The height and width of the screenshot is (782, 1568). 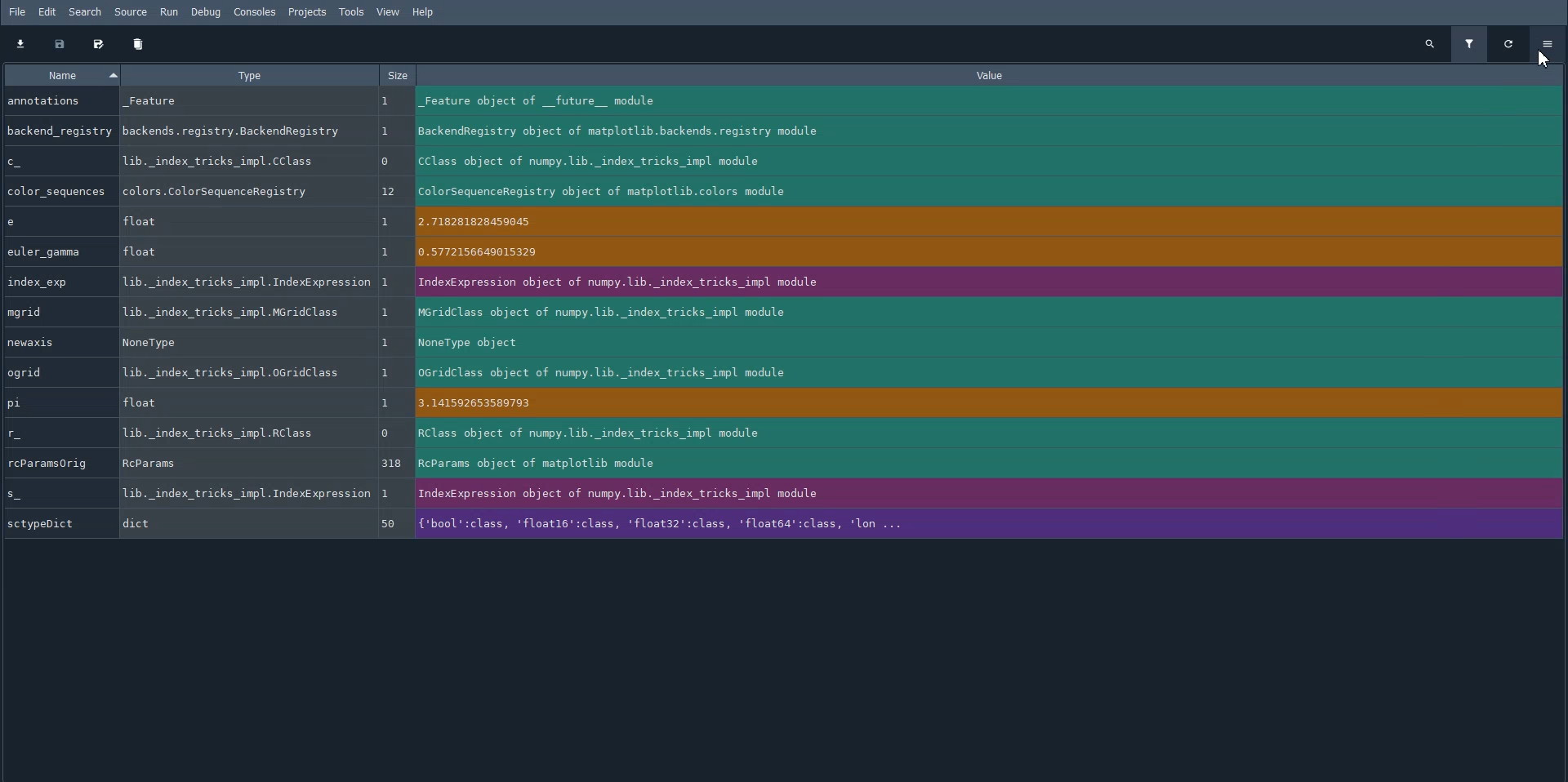 What do you see at coordinates (388, 341) in the screenshot?
I see `1` at bounding box center [388, 341].